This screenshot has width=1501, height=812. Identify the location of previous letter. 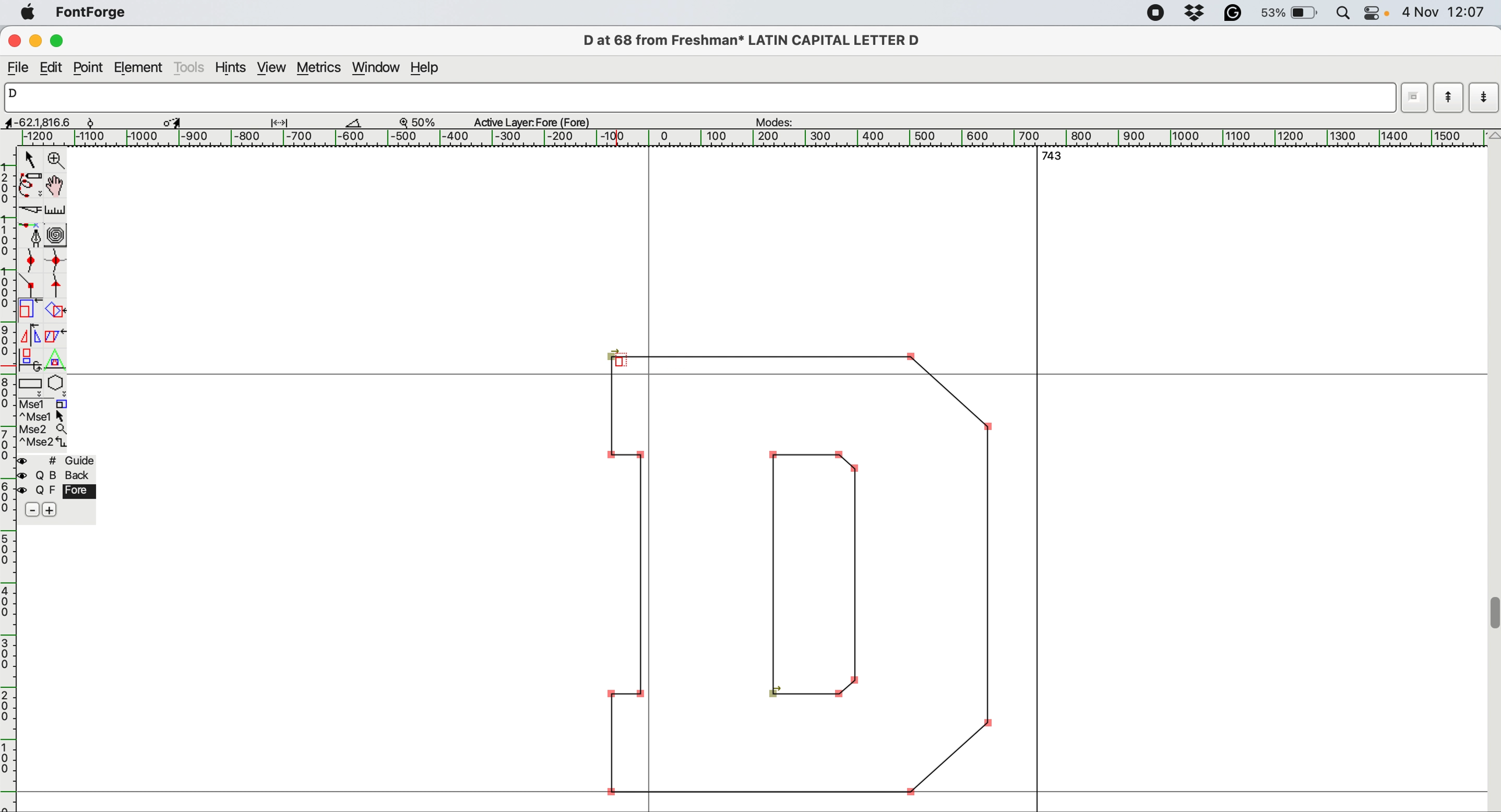
(1449, 98).